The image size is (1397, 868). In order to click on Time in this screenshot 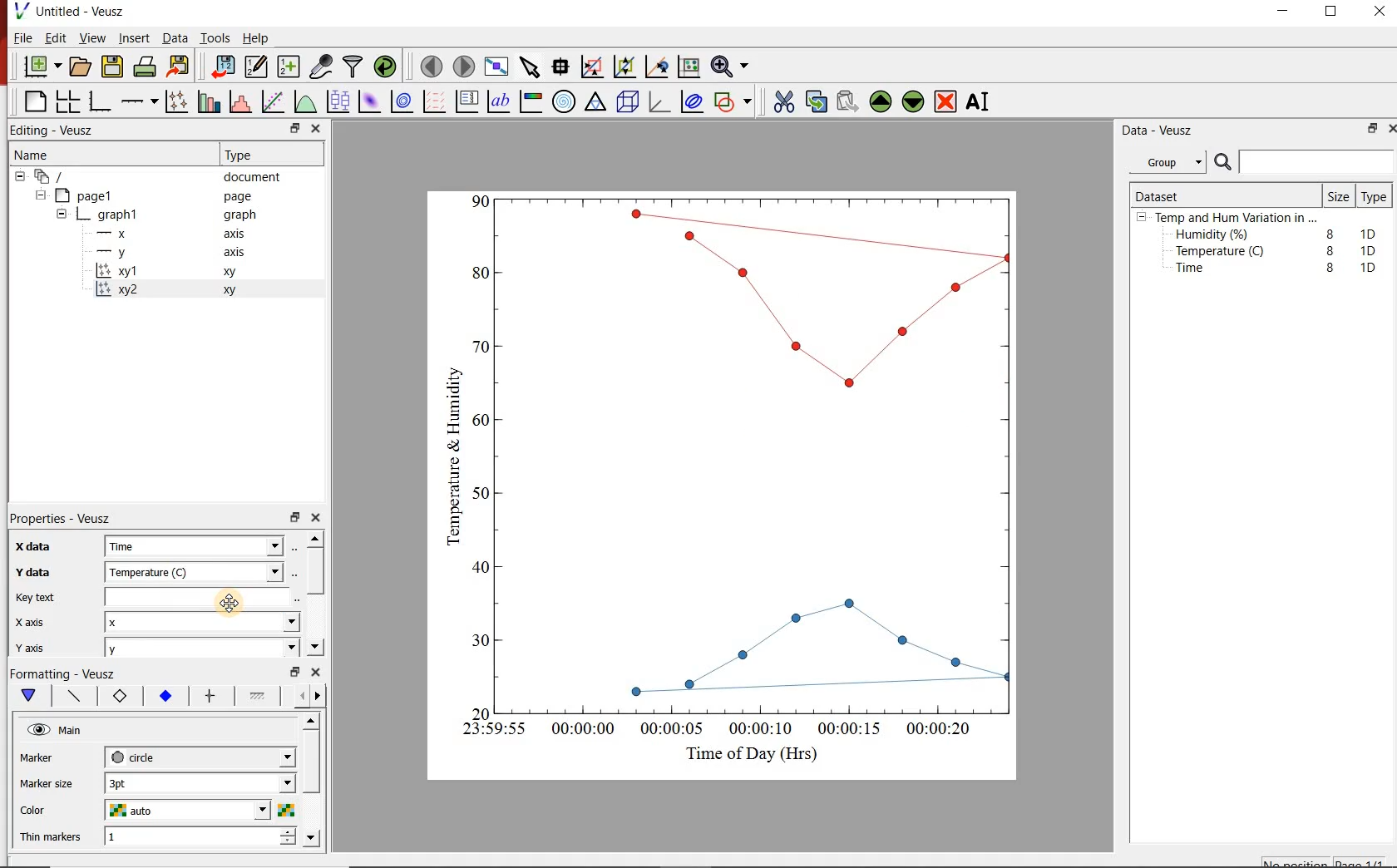, I will do `click(146, 547)`.